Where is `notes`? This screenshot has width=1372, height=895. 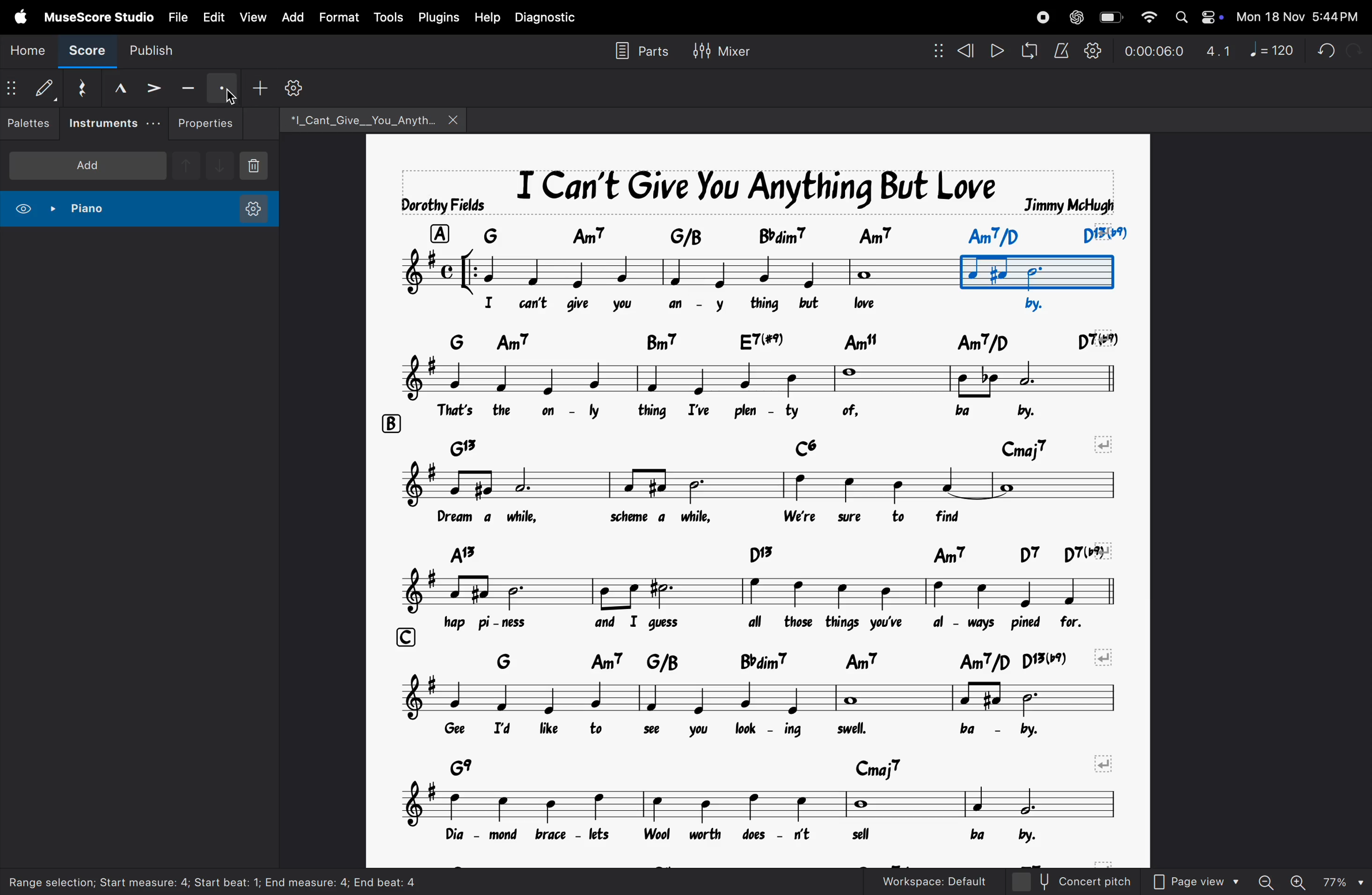
notes is located at coordinates (677, 271).